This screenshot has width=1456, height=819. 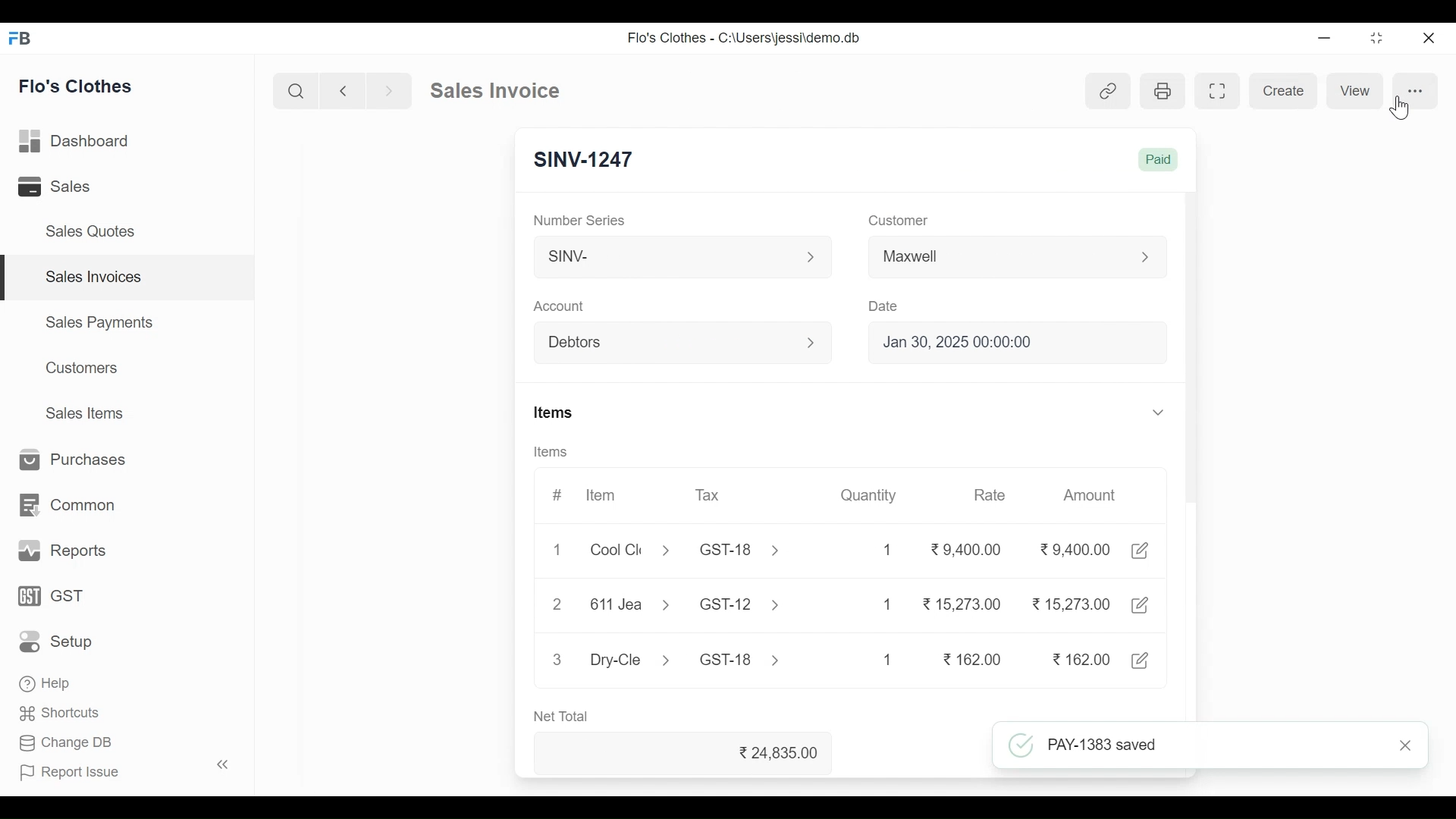 I want to click on Toggle between form and full width, so click(x=1221, y=90).